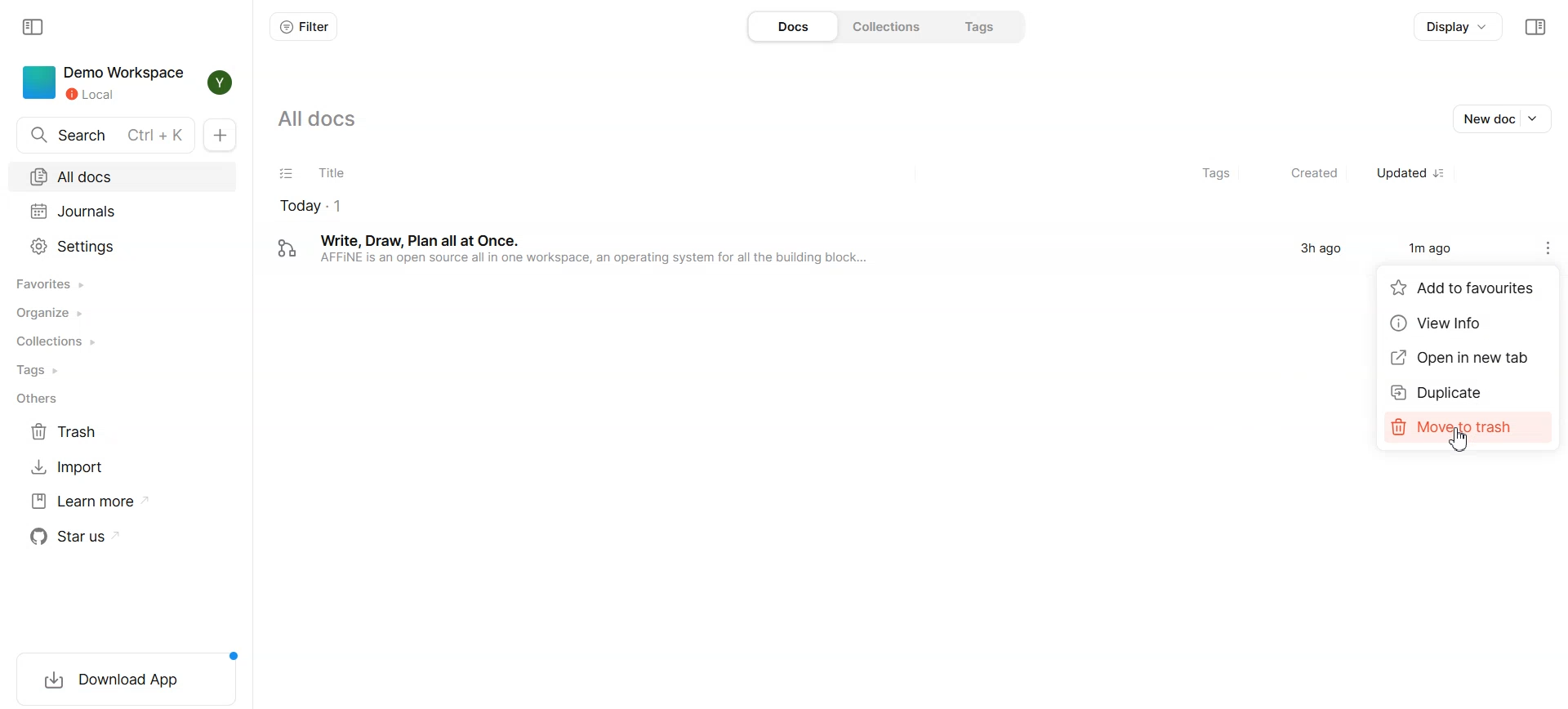  Describe the element at coordinates (122, 371) in the screenshot. I see `Tags` at that location.